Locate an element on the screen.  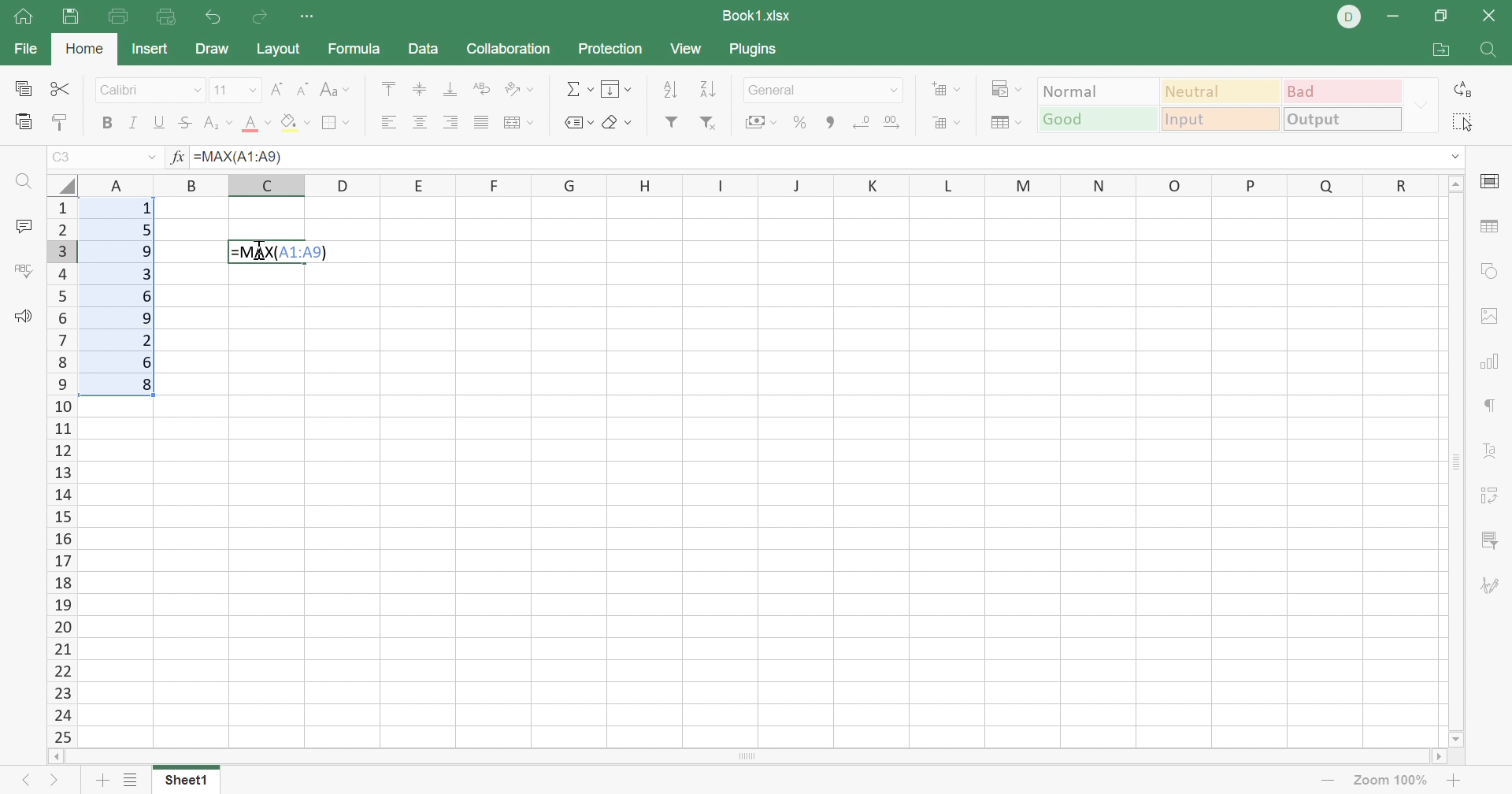
Increase decimal is located at coordinates (894, 121).